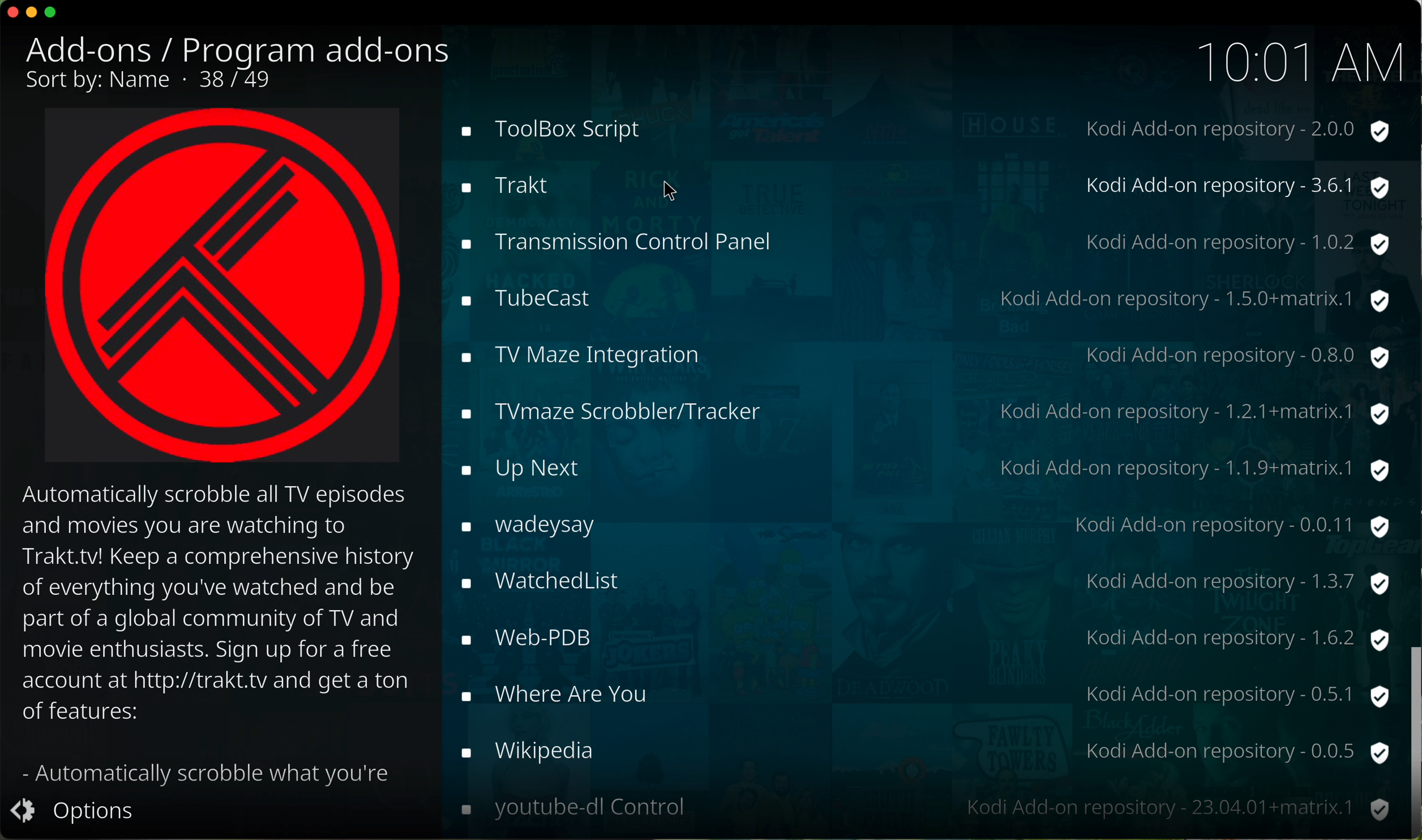  What do you see at coordinates (105, 84) in the screenshot?
I see `sort by name` at bounding box center [105, 84].